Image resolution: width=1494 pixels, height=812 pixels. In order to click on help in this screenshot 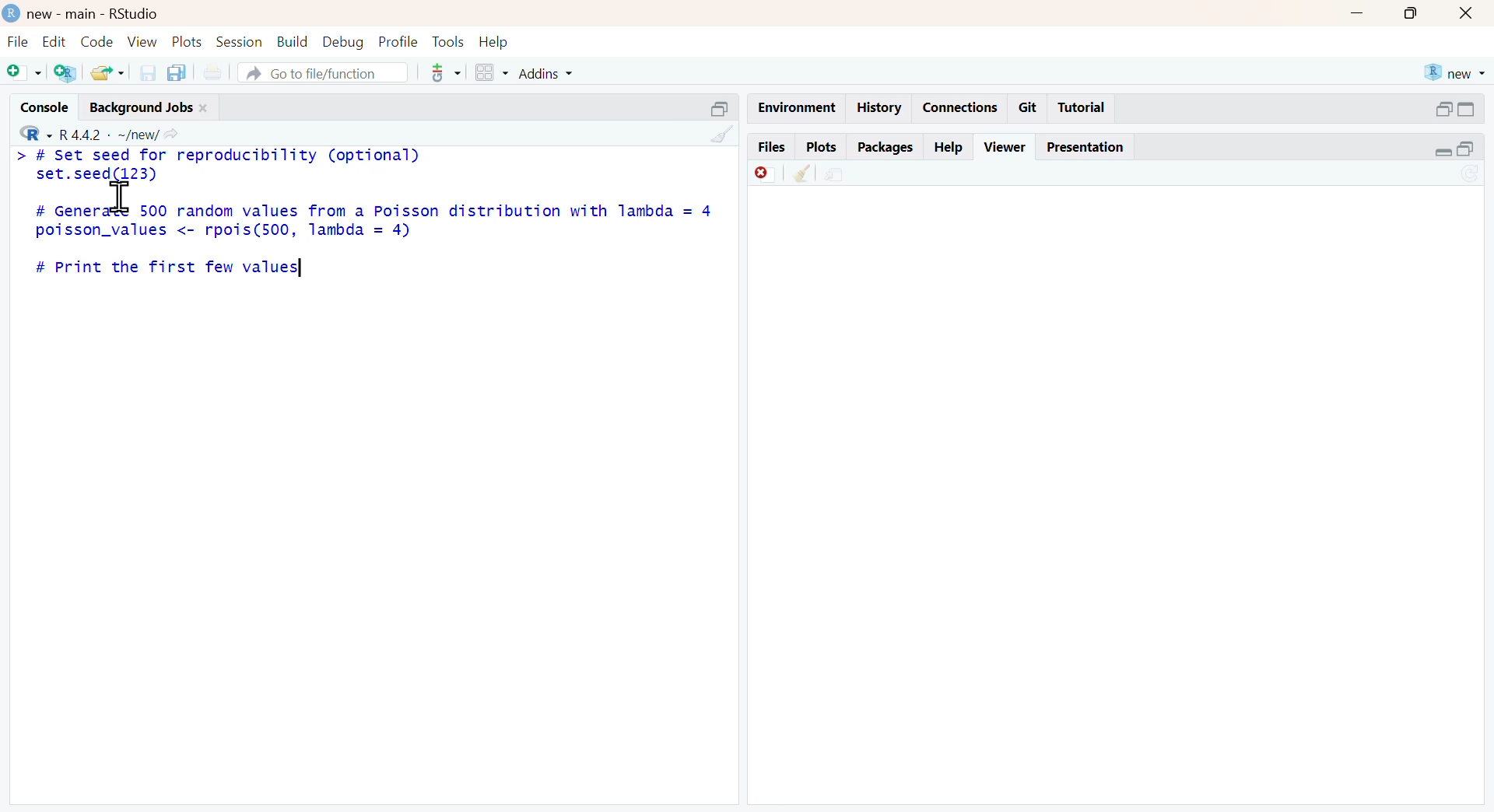, I will do `click(494, 42)`.